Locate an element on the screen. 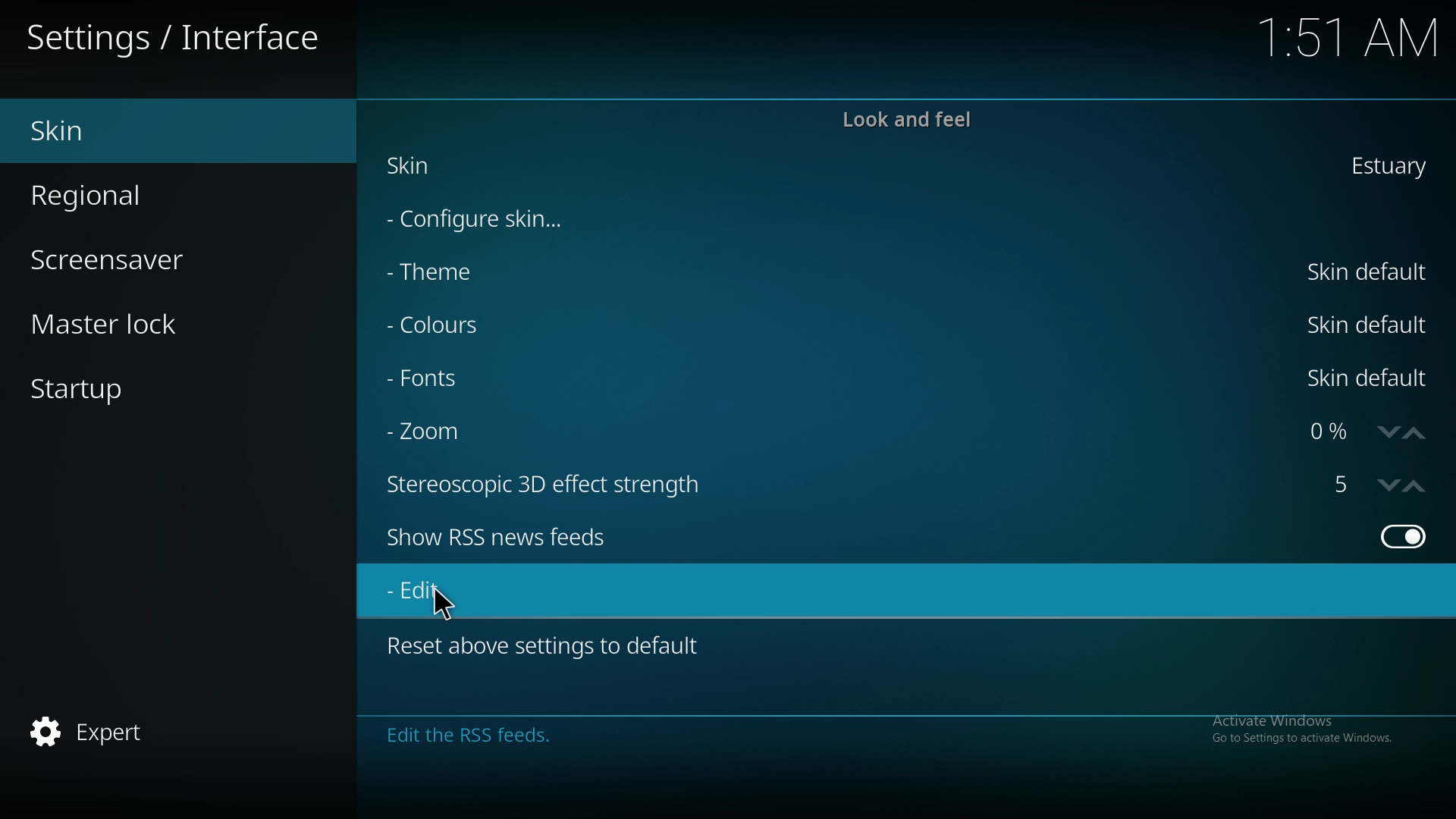 The height and width of the screenshot is (819, 1456). startup is located at coordinates (105, 393).